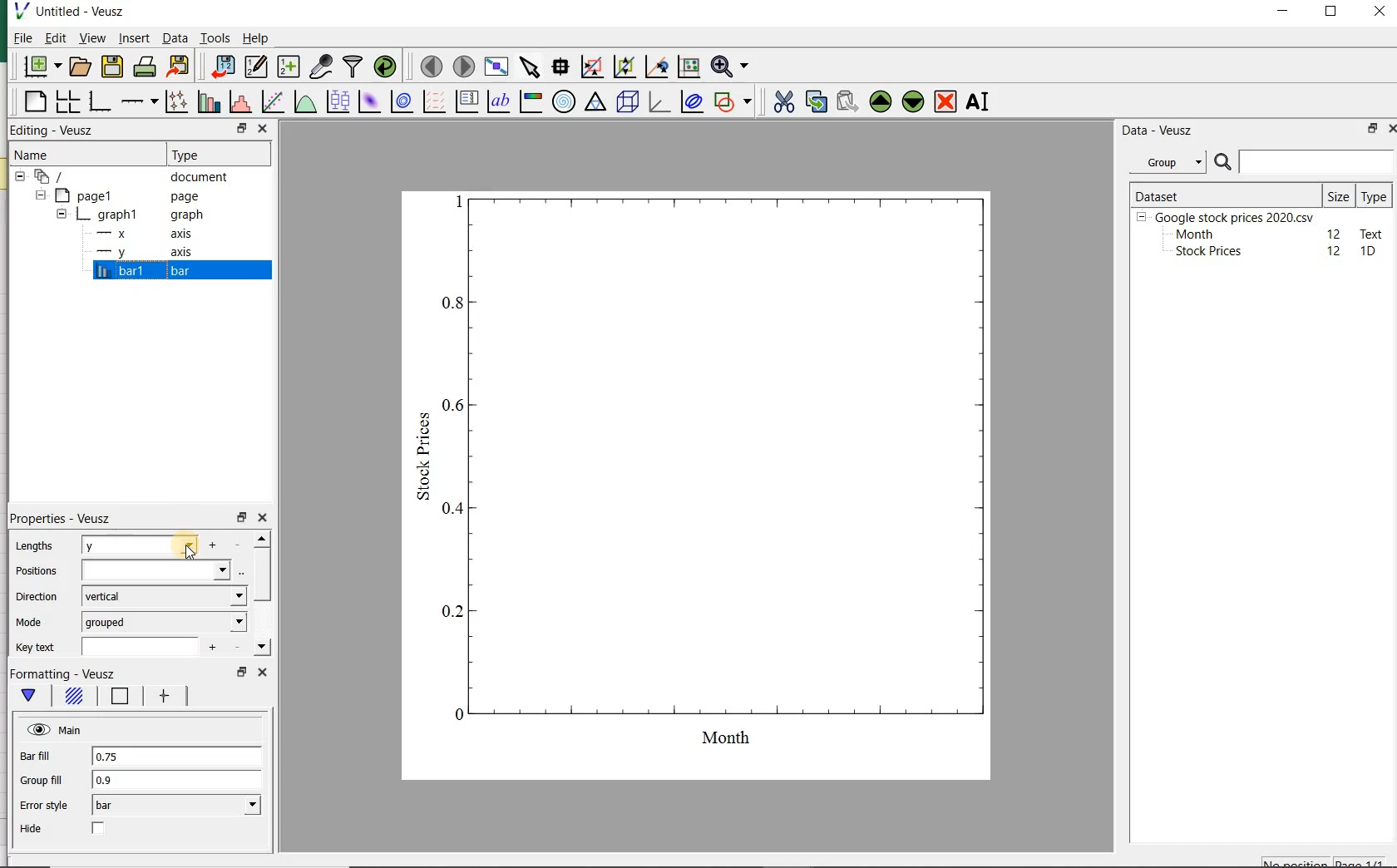 The image size is (1397, 868). What do you see at coordinates (121, 696) in the screenshot?
I see `Line` at bounding box center [121, 696].